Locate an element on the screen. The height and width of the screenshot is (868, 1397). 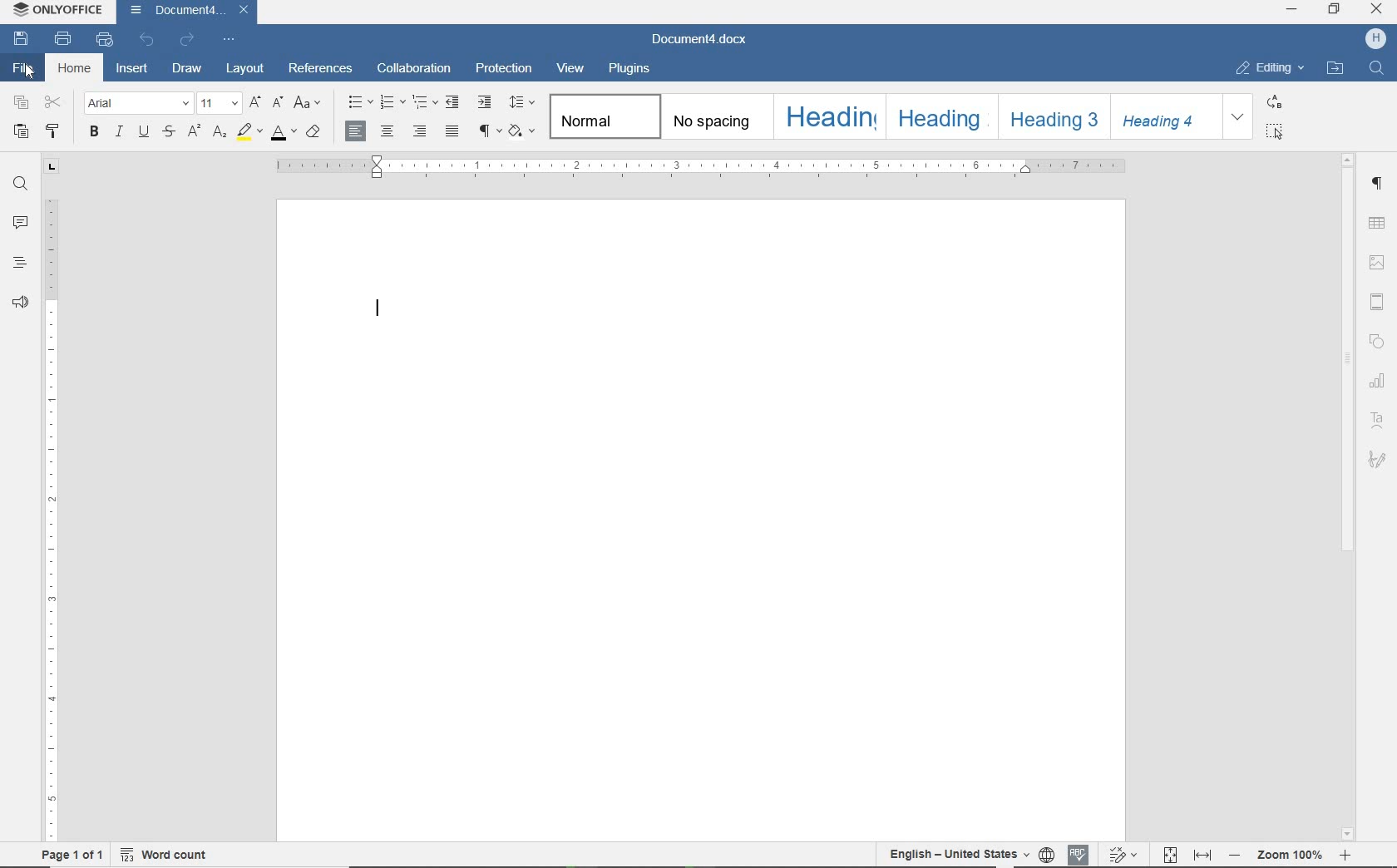
insert is located at coordinates (135, 69).